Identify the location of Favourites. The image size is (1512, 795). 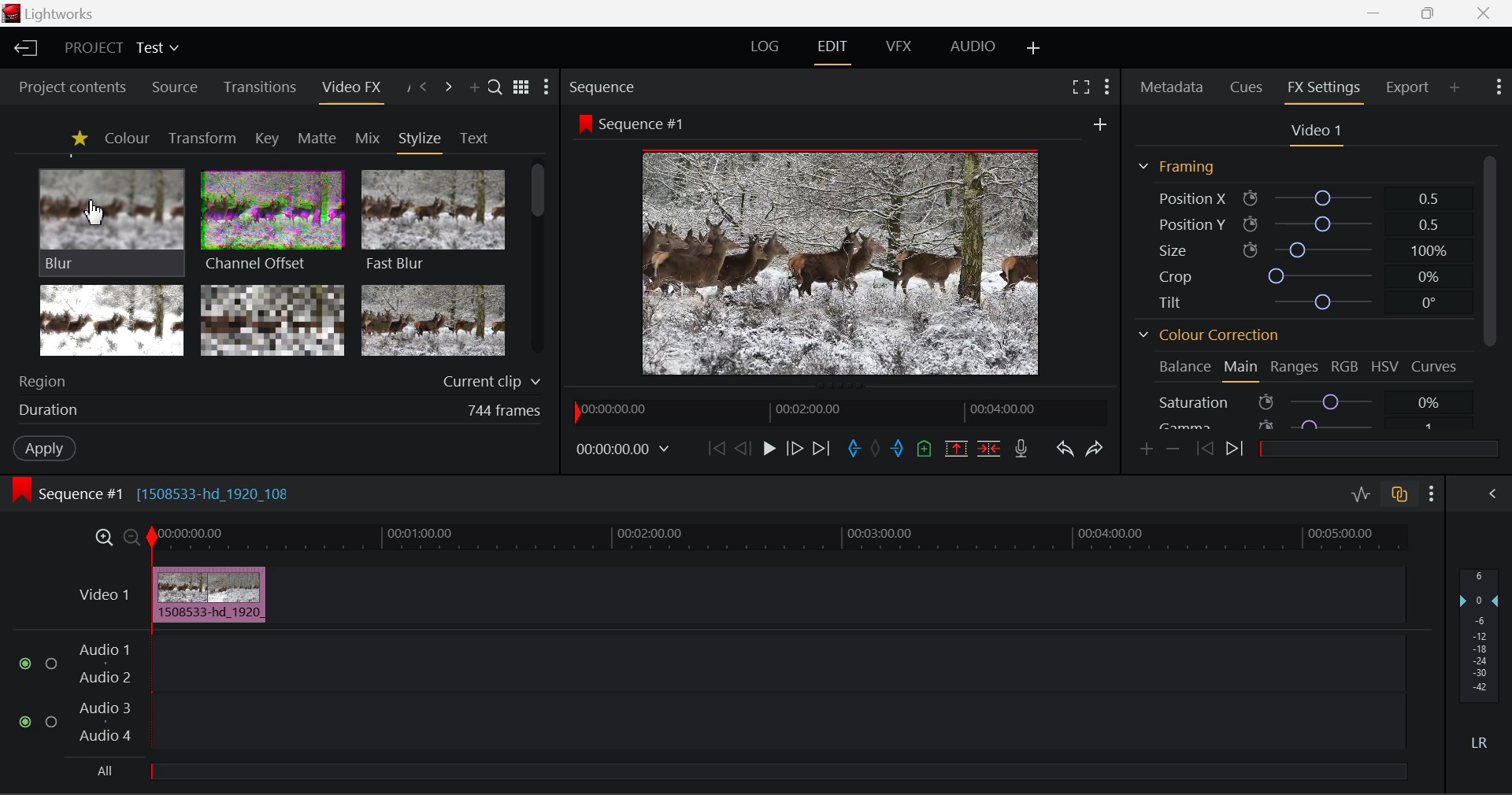
(77, 138).